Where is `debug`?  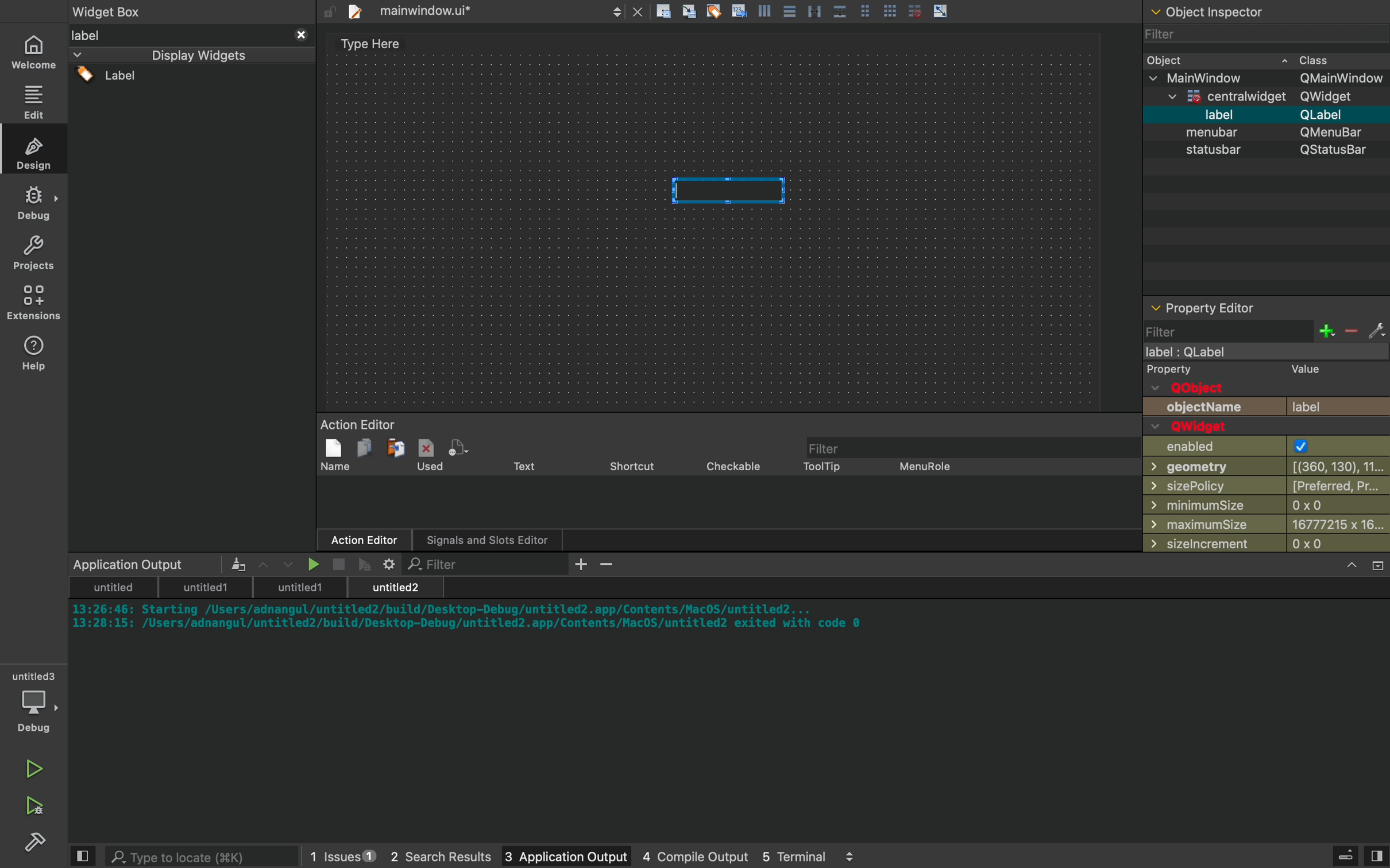 debug is located at coordinates (37, 704).